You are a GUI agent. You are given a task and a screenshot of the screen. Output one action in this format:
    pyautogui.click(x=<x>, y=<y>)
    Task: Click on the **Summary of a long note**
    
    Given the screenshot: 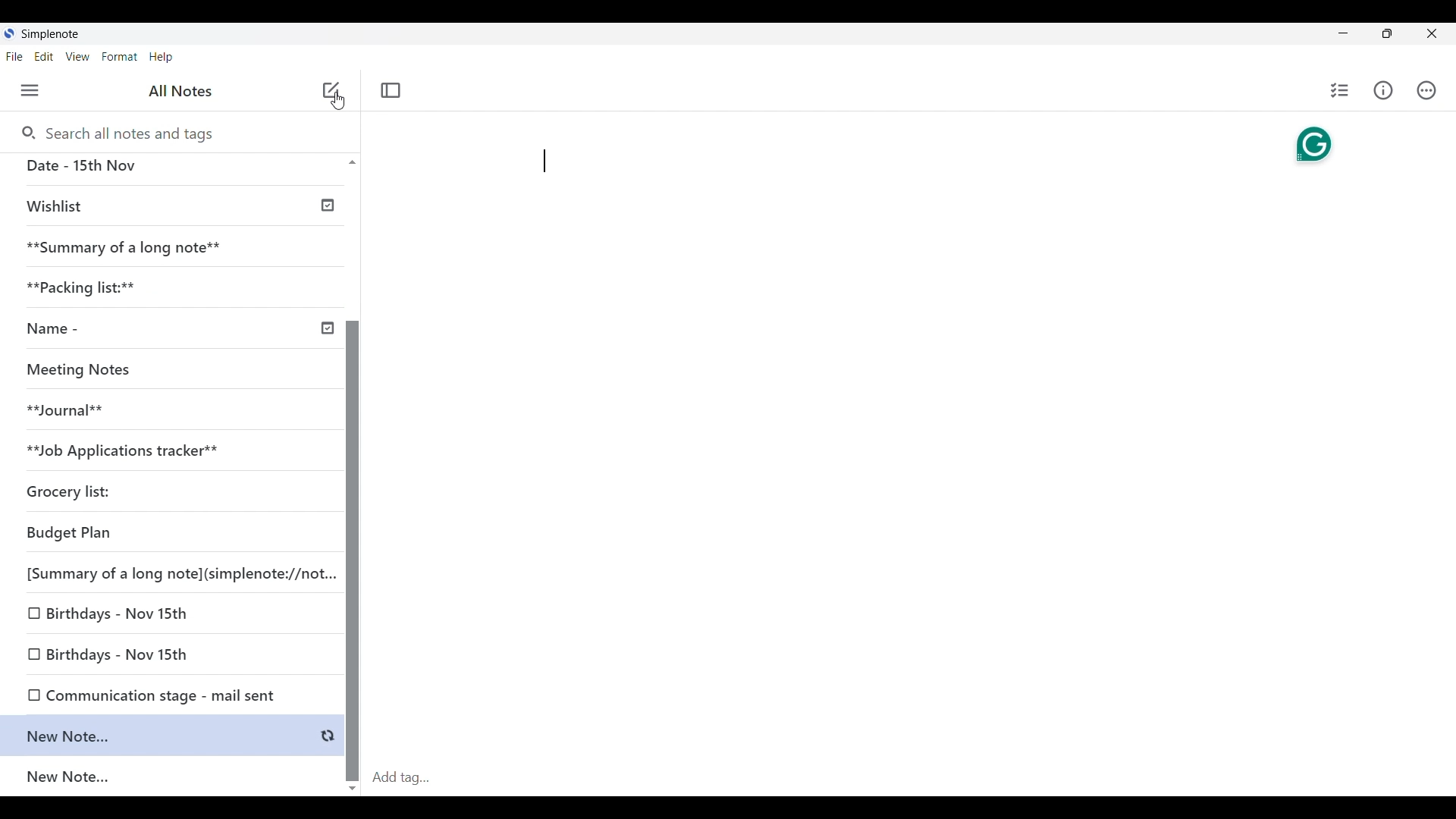 What is the action you would take?
    pyautogui.click(x=172, y=246)
    